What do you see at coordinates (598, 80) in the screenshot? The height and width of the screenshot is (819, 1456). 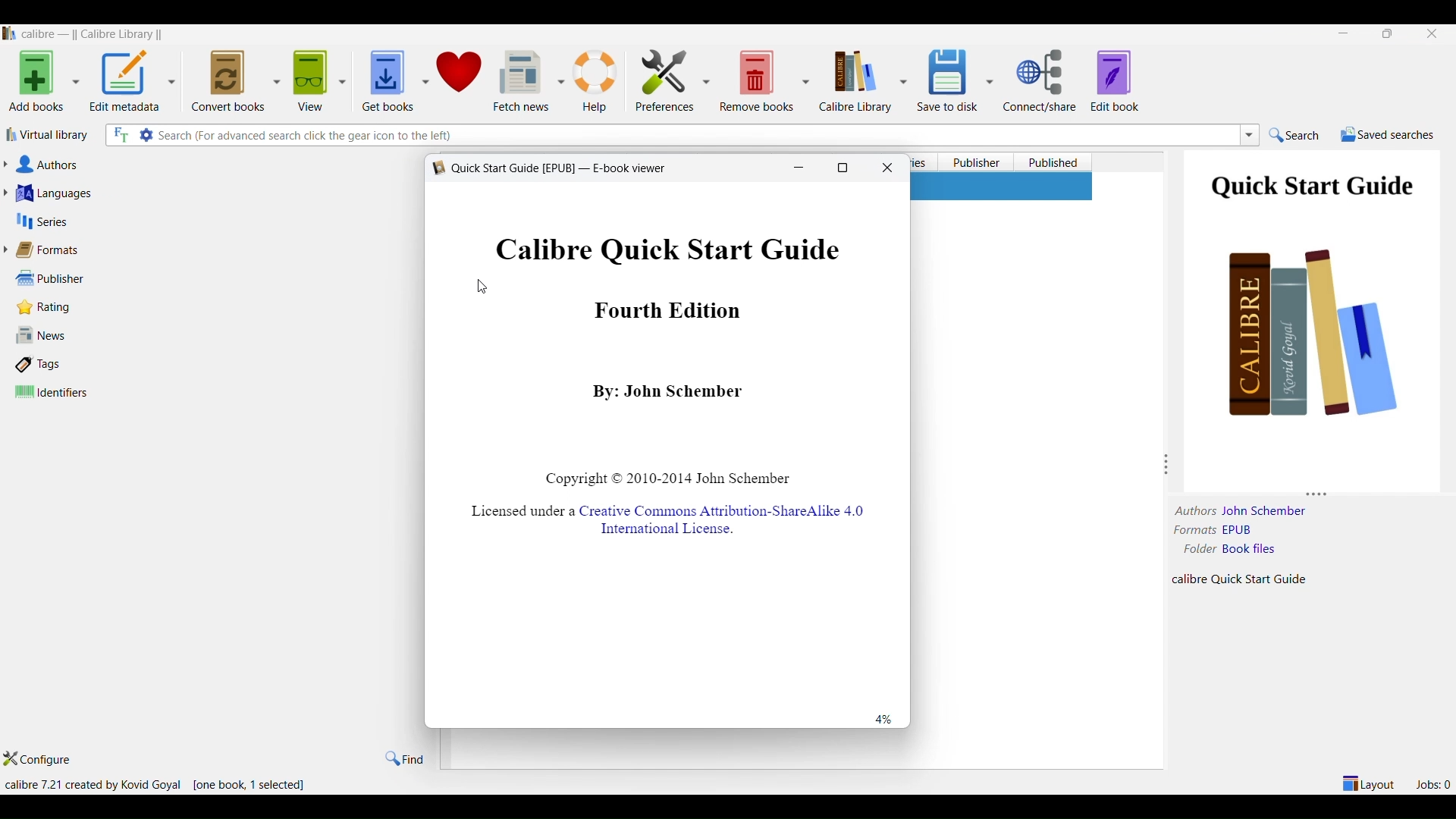 I see `help` at bounding box center [598, 80].